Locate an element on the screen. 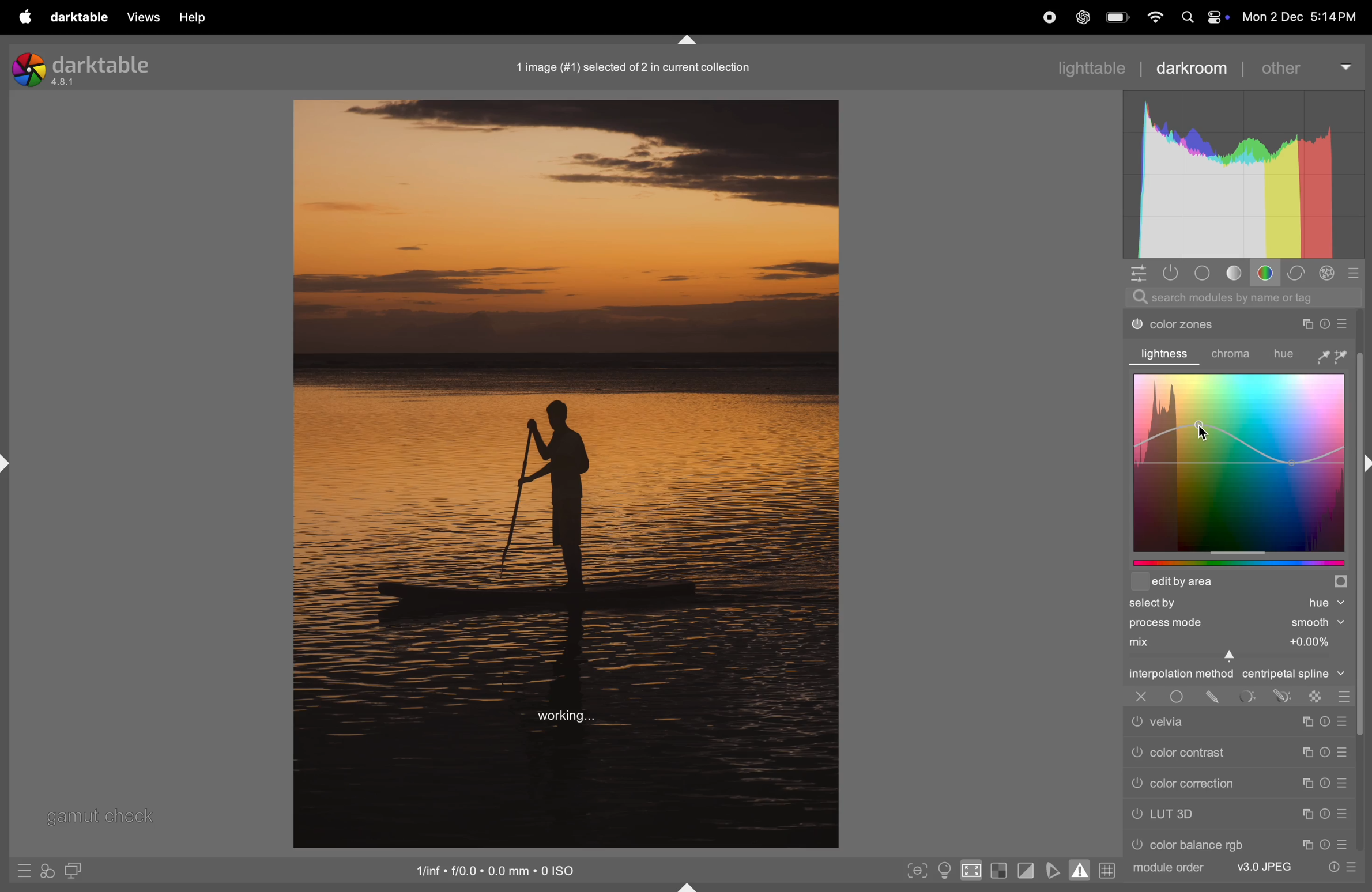 This screenshot has height=892, width=1372. copy is located at coordinates (1306, 783).